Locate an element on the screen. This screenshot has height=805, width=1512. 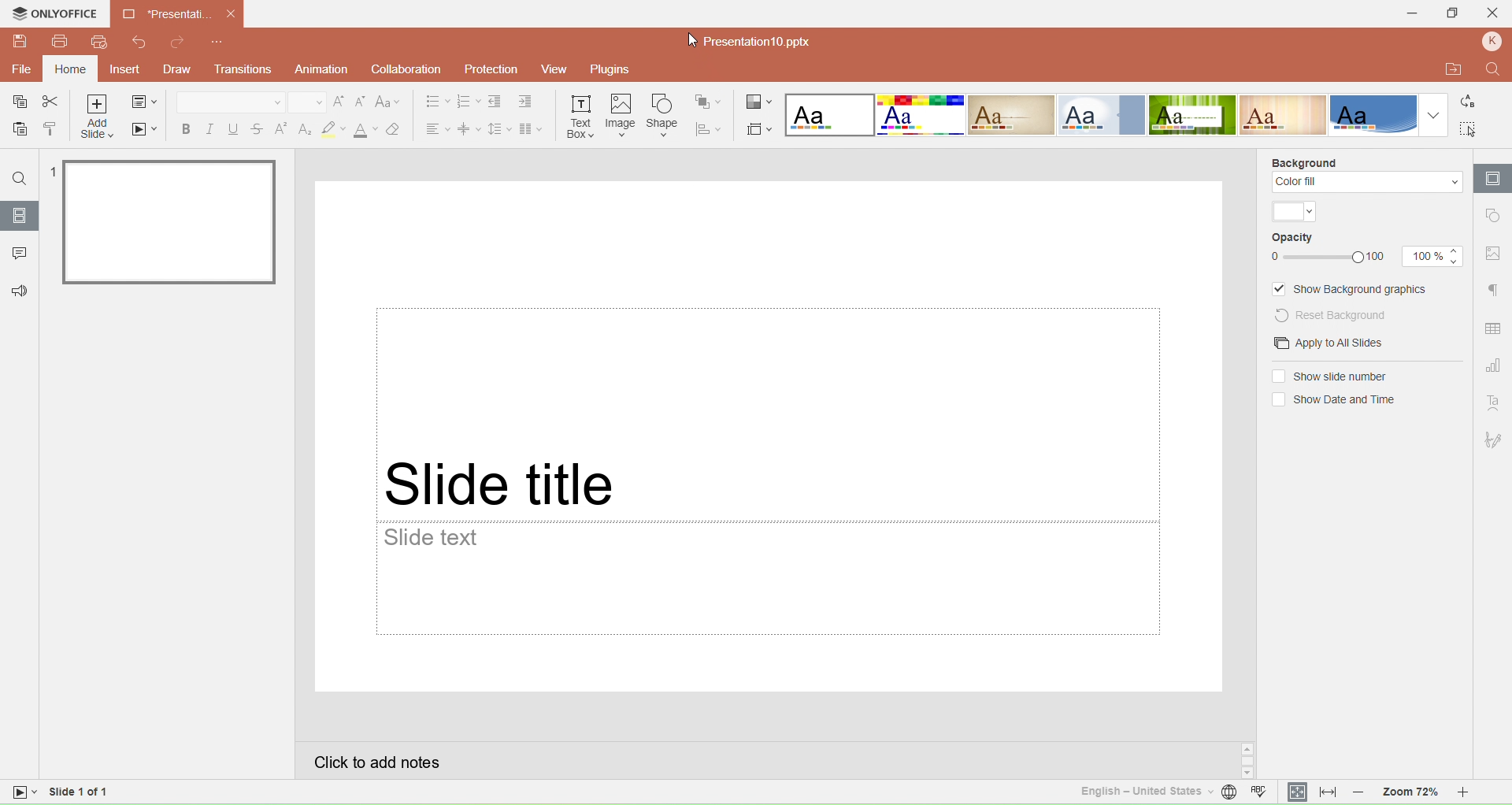
Spell check is located at coordinates (1262, 793).